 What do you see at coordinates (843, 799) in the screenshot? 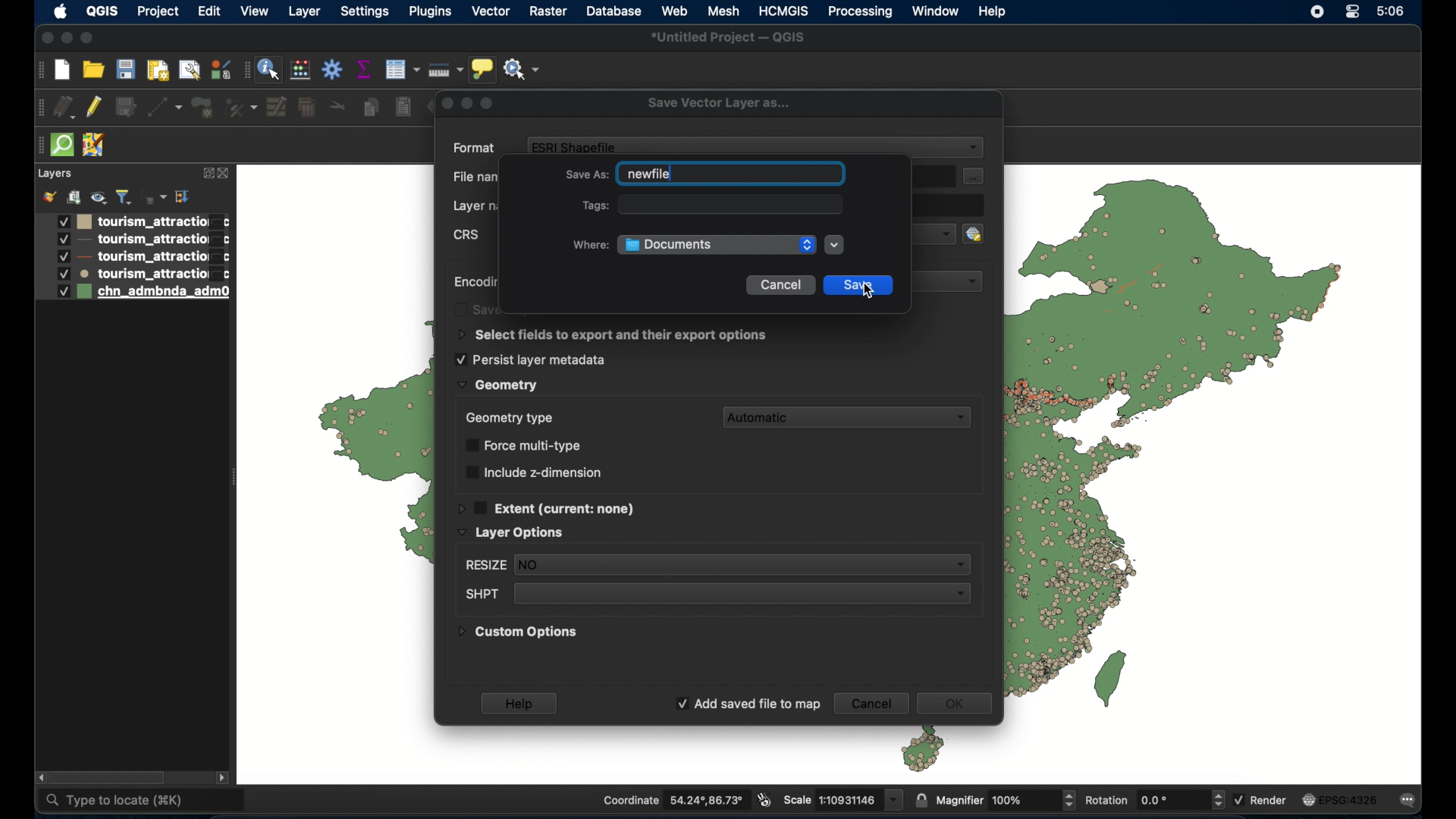
I see `scale` at bounding box center [843, 799].